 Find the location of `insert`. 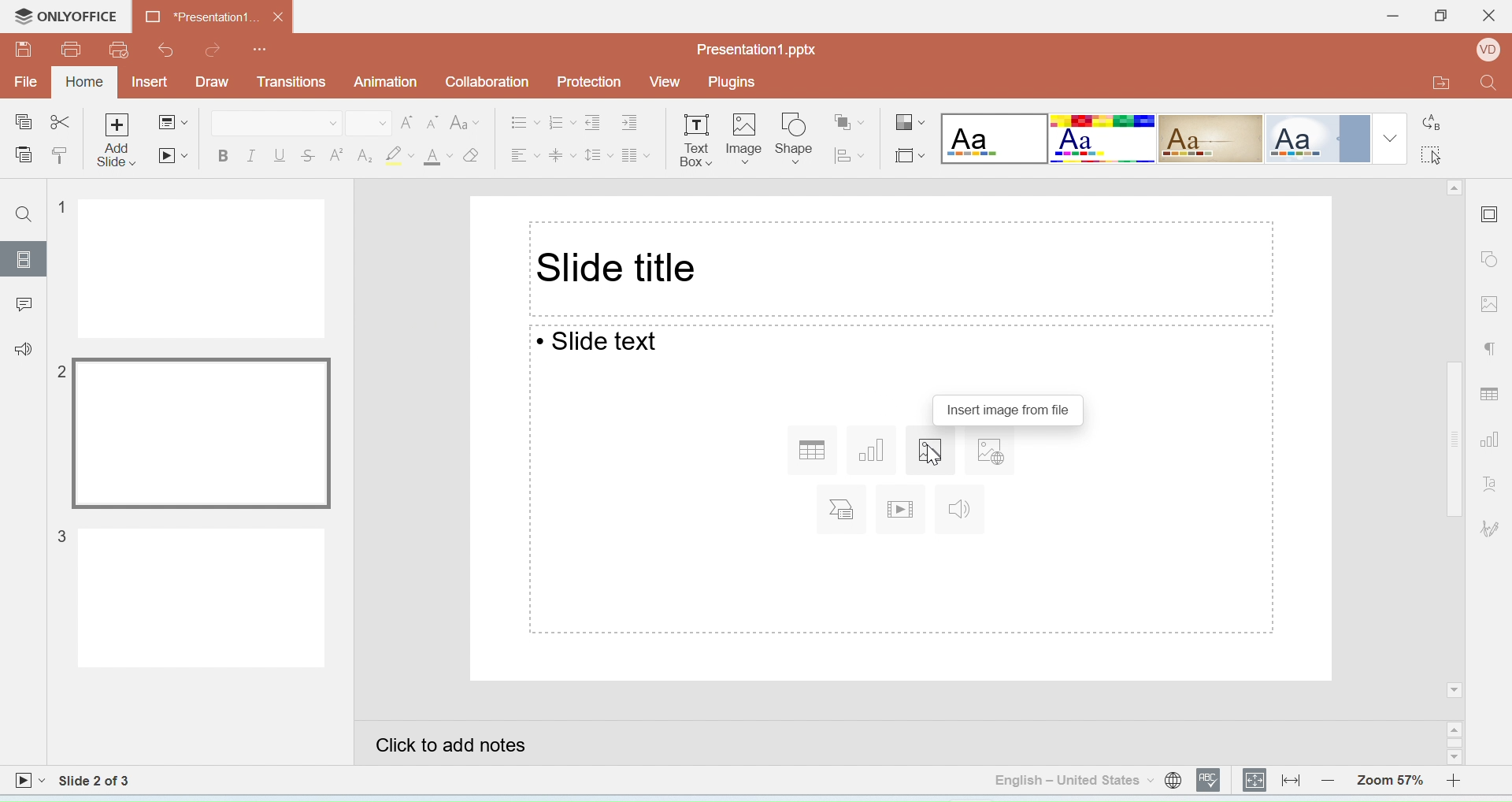

insert is located at coordinates (844, 510).